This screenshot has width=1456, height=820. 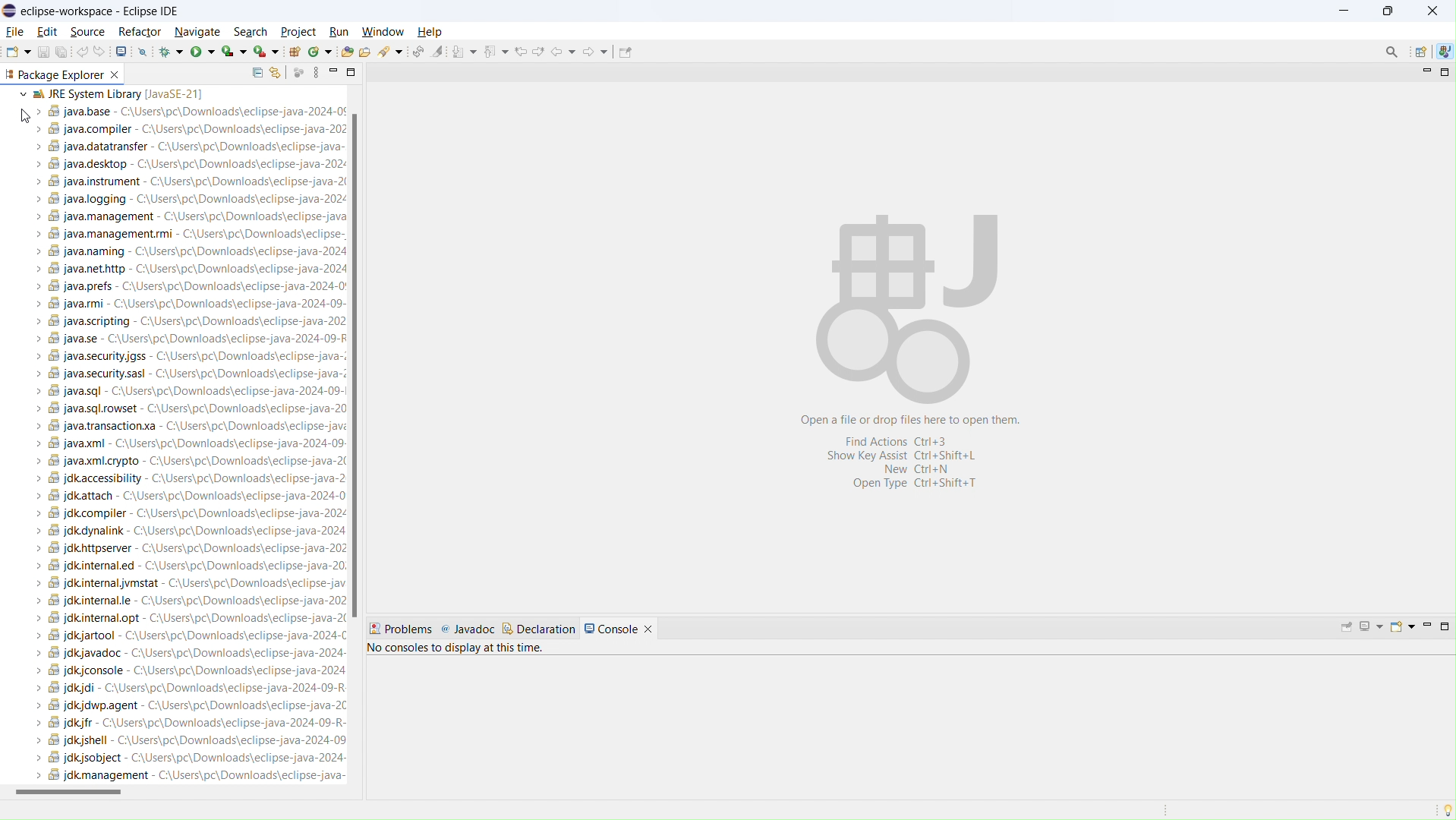 What do you see at coordinates (1445, 628) in the screenshot?
I see `maximize` at bounding box center [1445, 628].